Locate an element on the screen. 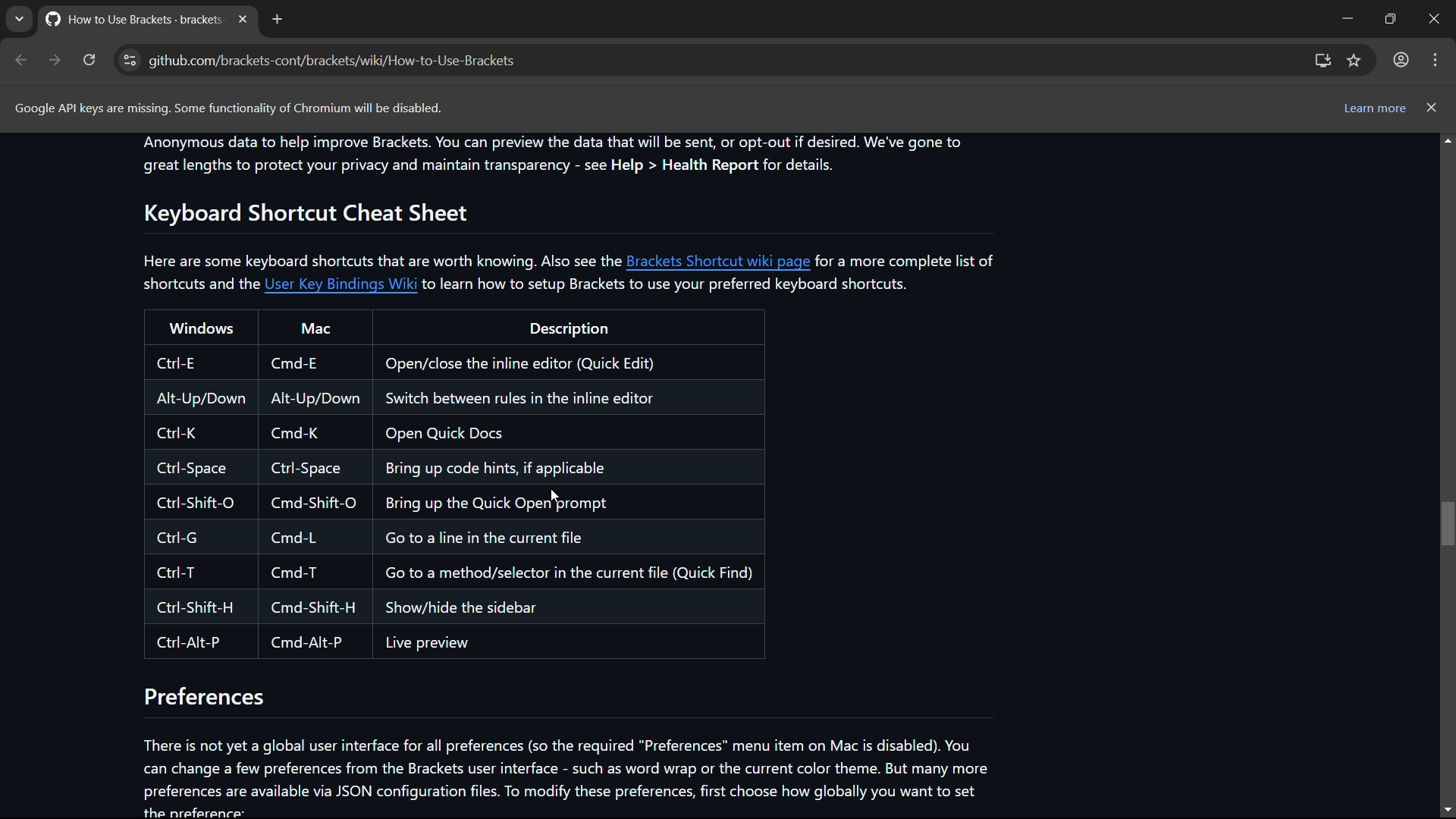 The image size is (1456, 819). scroll bar is located at coordinates (1447, 475).